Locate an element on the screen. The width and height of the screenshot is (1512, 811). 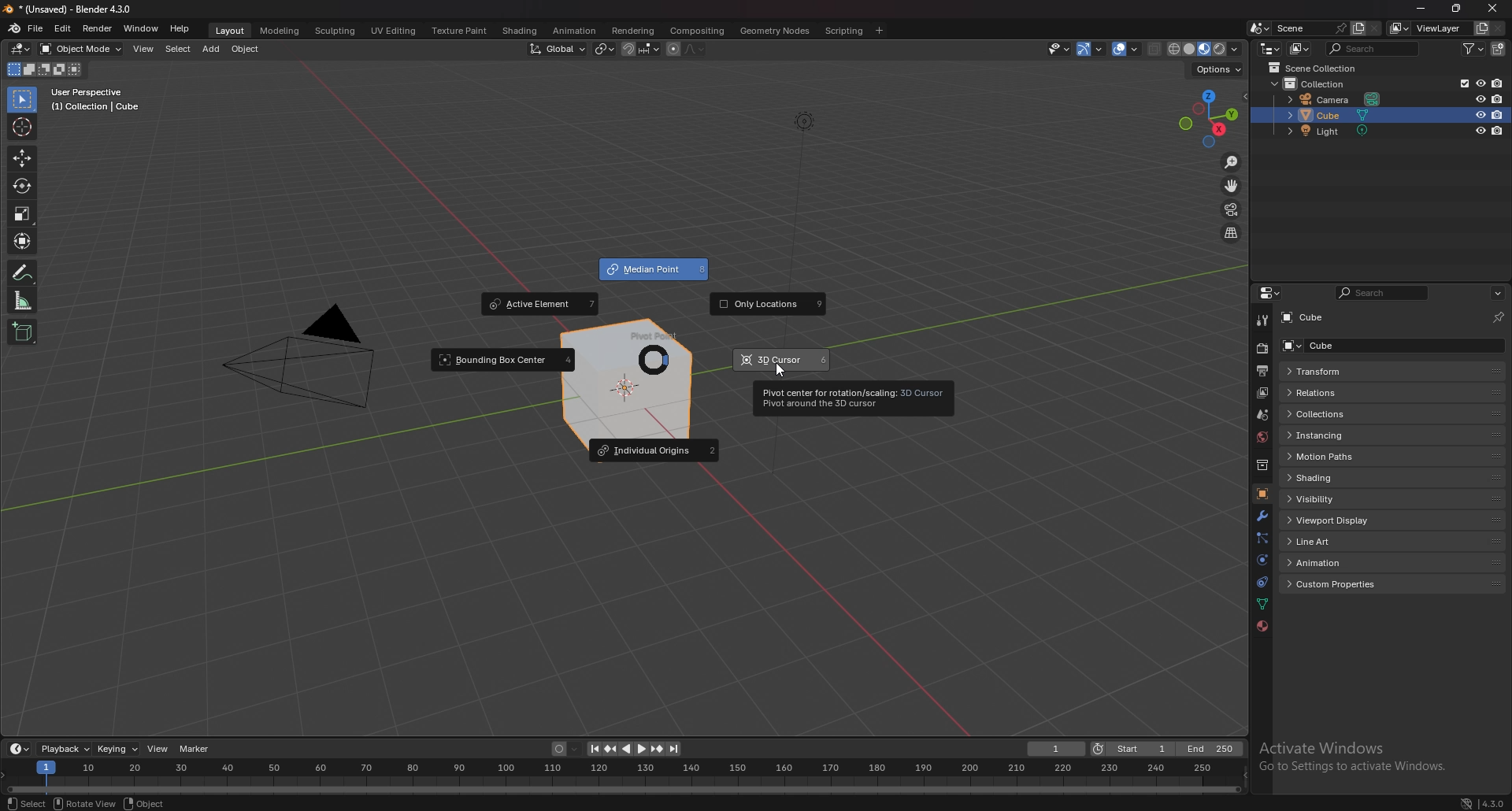
minimize is located at coordinates (1425, 9).